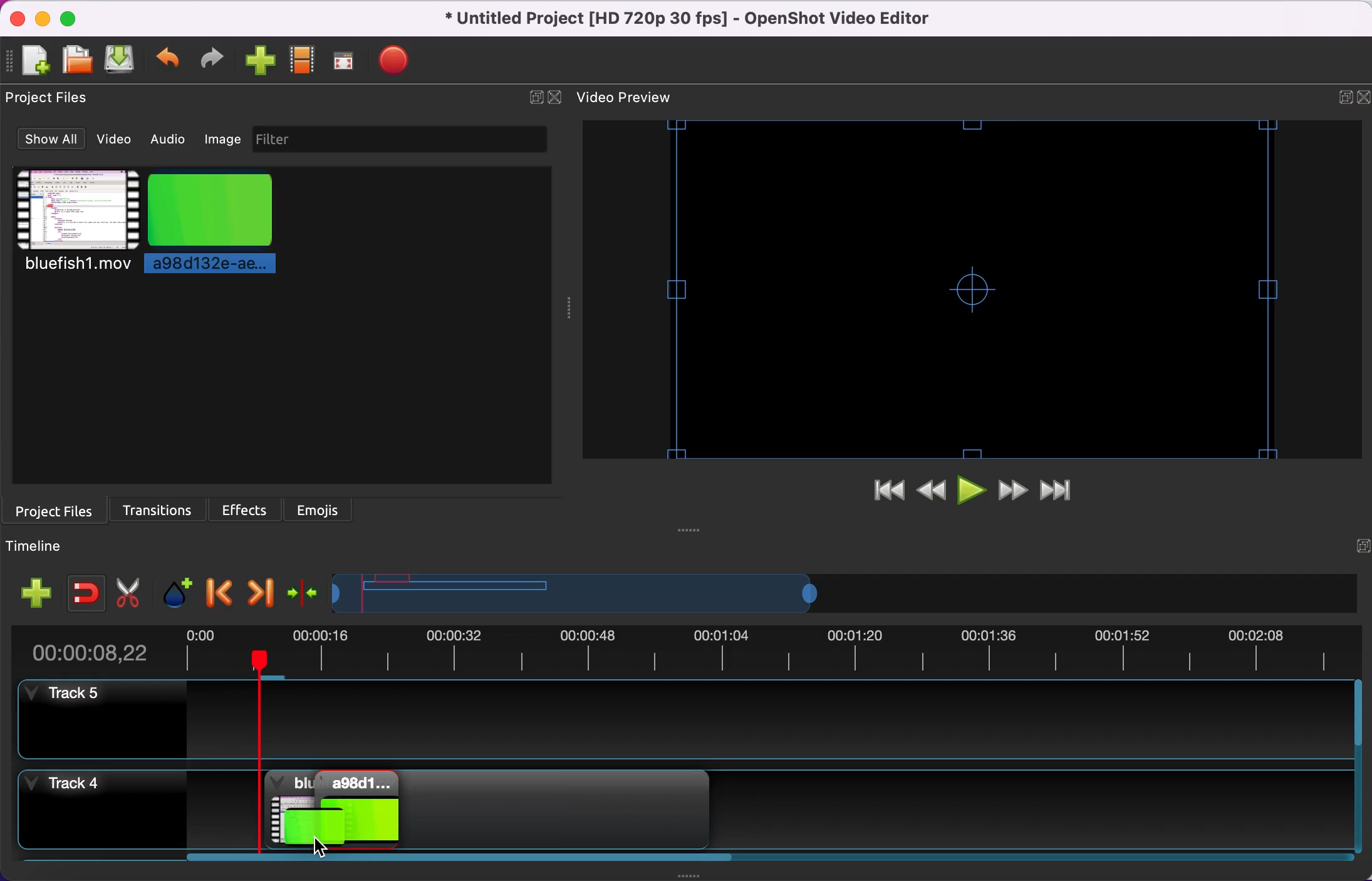 Image resolution: width=1372 pixels, height=881 pixels. What do you see at coordinates (219, 591) in the screenshot?
I see `previous marker` at bounding box center [219, 591].